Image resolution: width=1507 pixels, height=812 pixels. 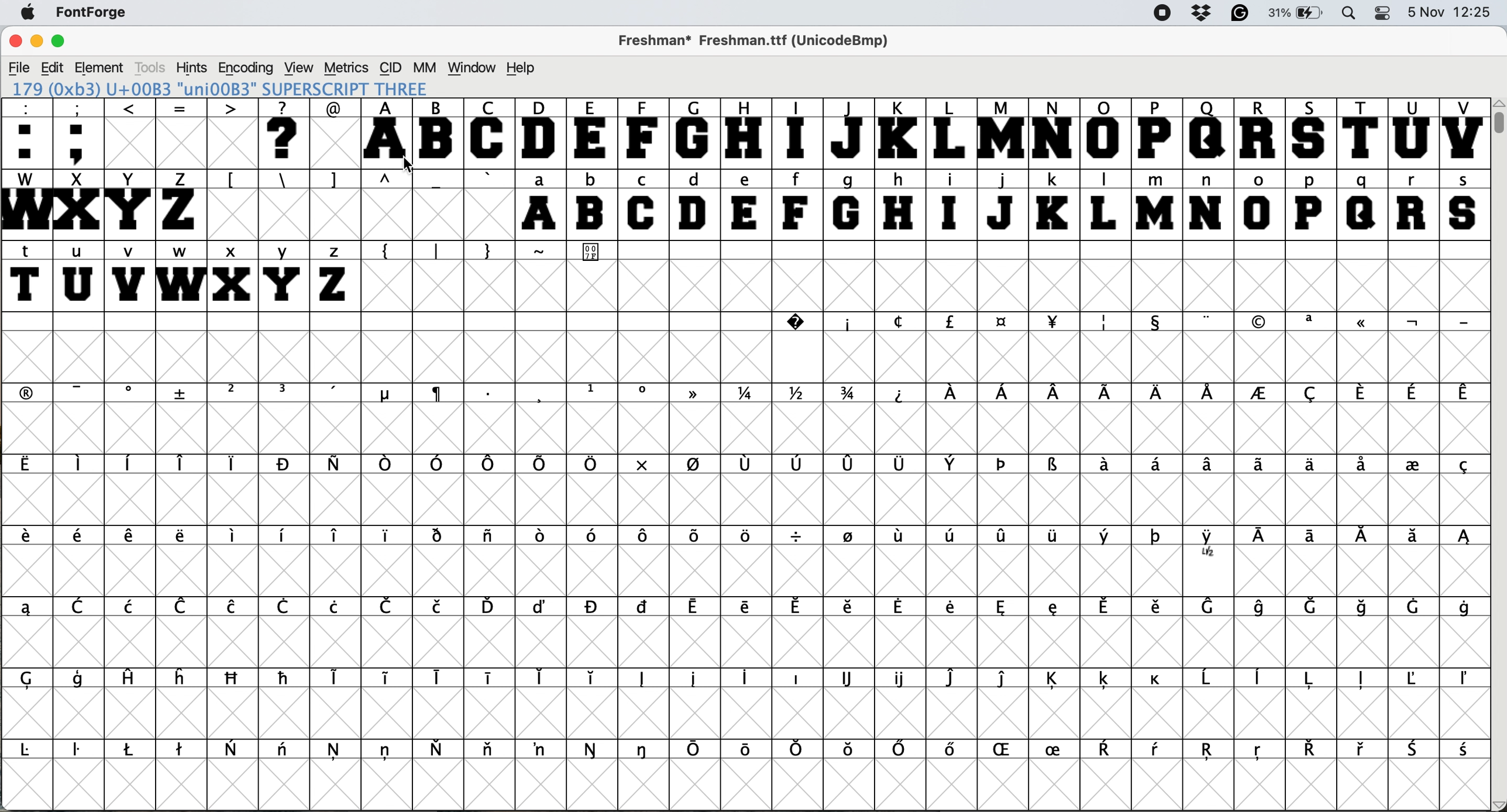 What do you see at coordinates (696, 397) in the screenshot?
I see `symbol` at bounding box center [696, 397].